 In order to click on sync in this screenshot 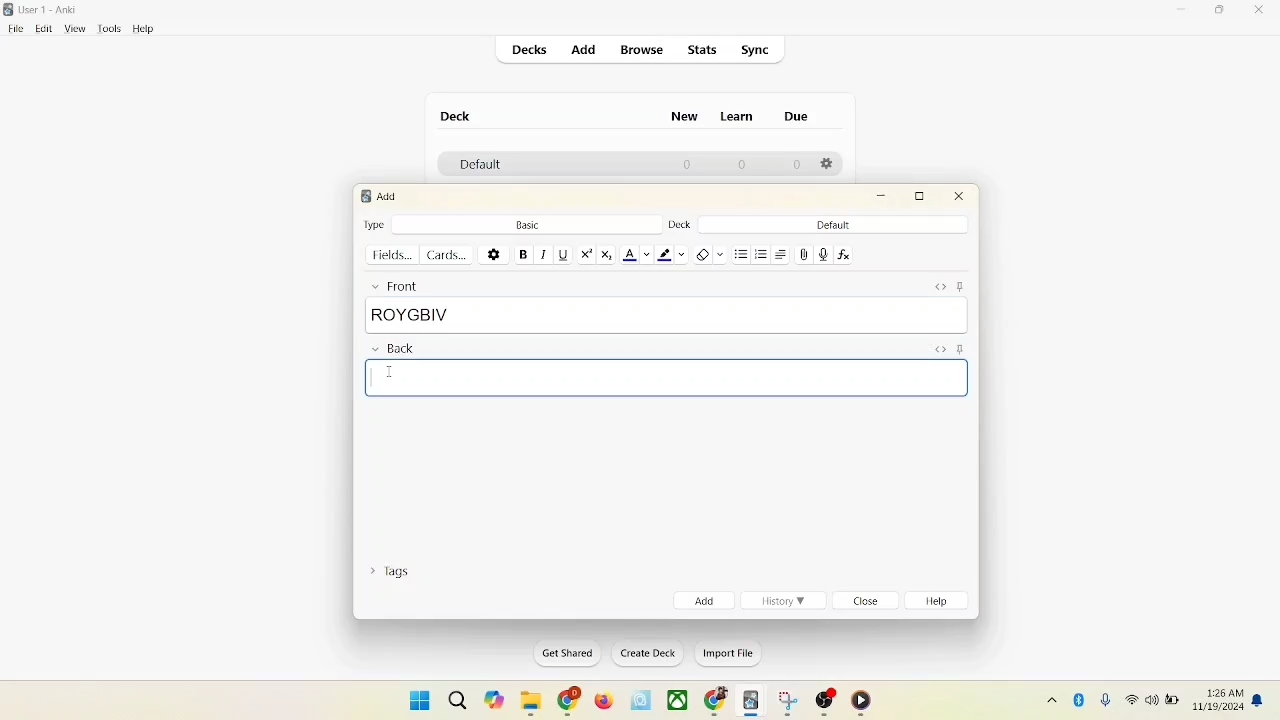, I will do `click(756, 50)`.